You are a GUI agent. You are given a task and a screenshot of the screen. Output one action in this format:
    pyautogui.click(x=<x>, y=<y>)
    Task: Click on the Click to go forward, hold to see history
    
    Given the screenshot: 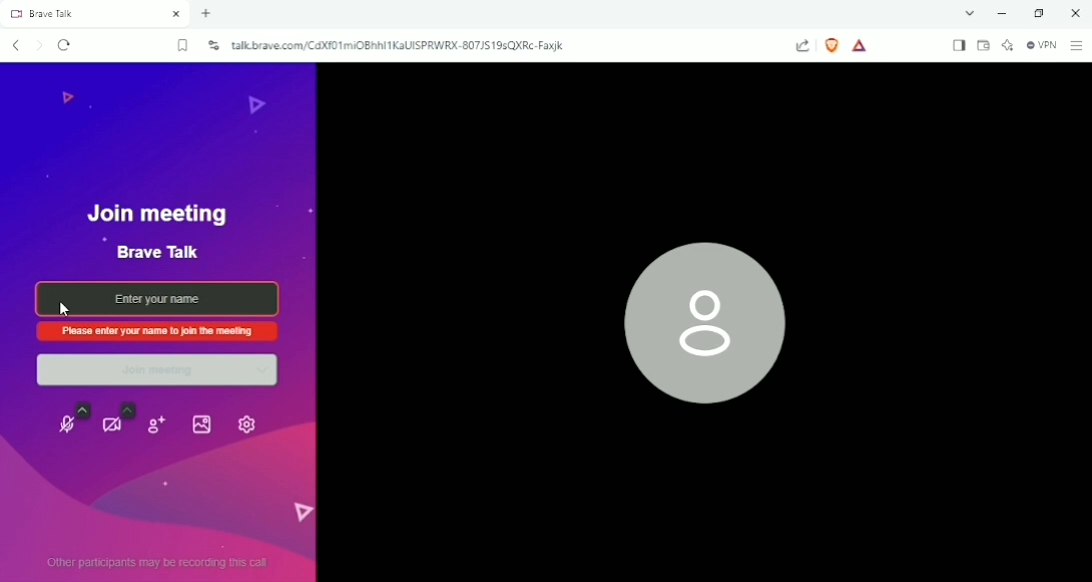 What is the action you would take?
    pyautogui.click(x=40, y=45)
    